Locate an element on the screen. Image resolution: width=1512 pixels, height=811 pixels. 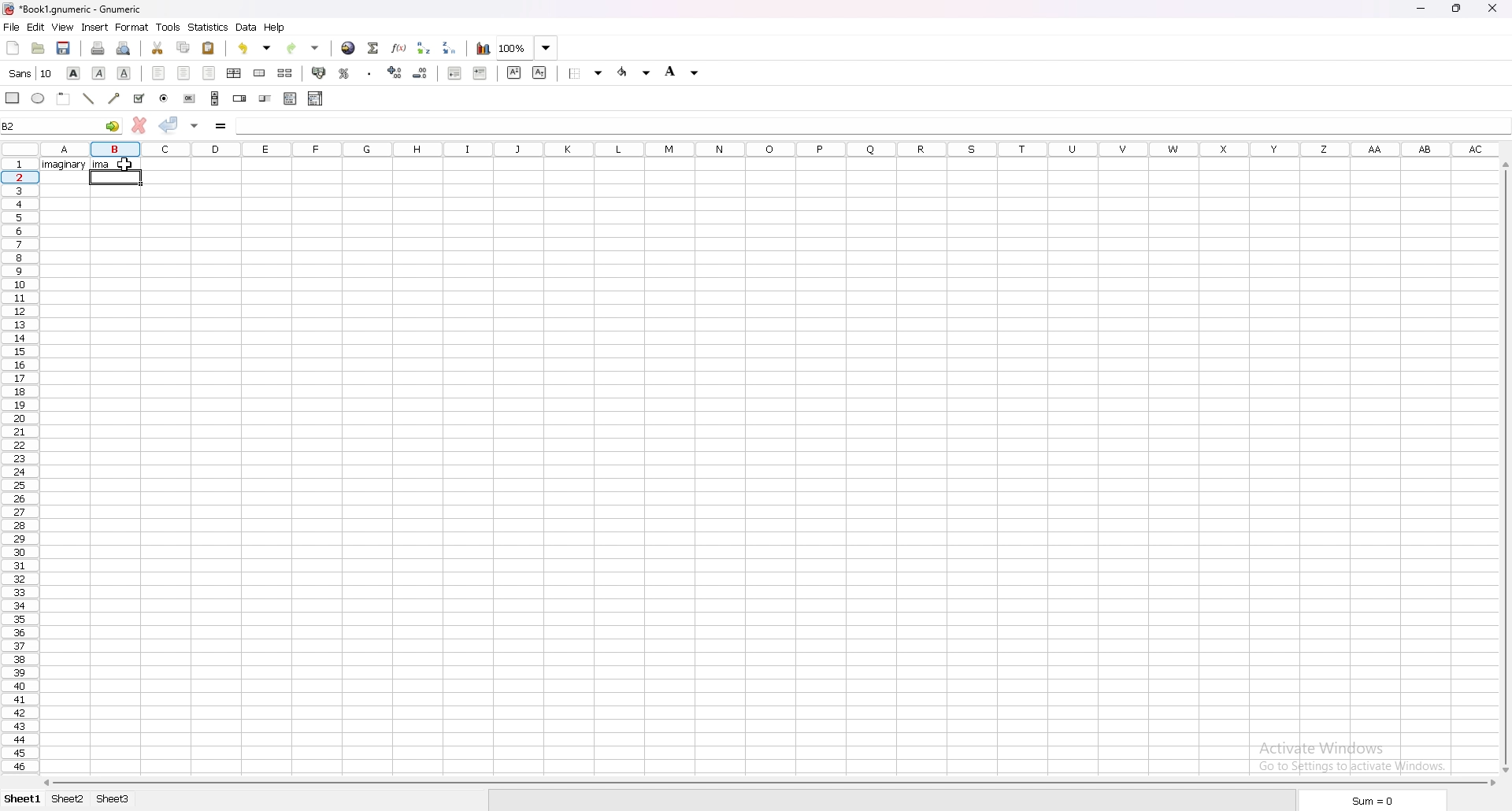
centre horizontally is located at coordinates (235, 73).